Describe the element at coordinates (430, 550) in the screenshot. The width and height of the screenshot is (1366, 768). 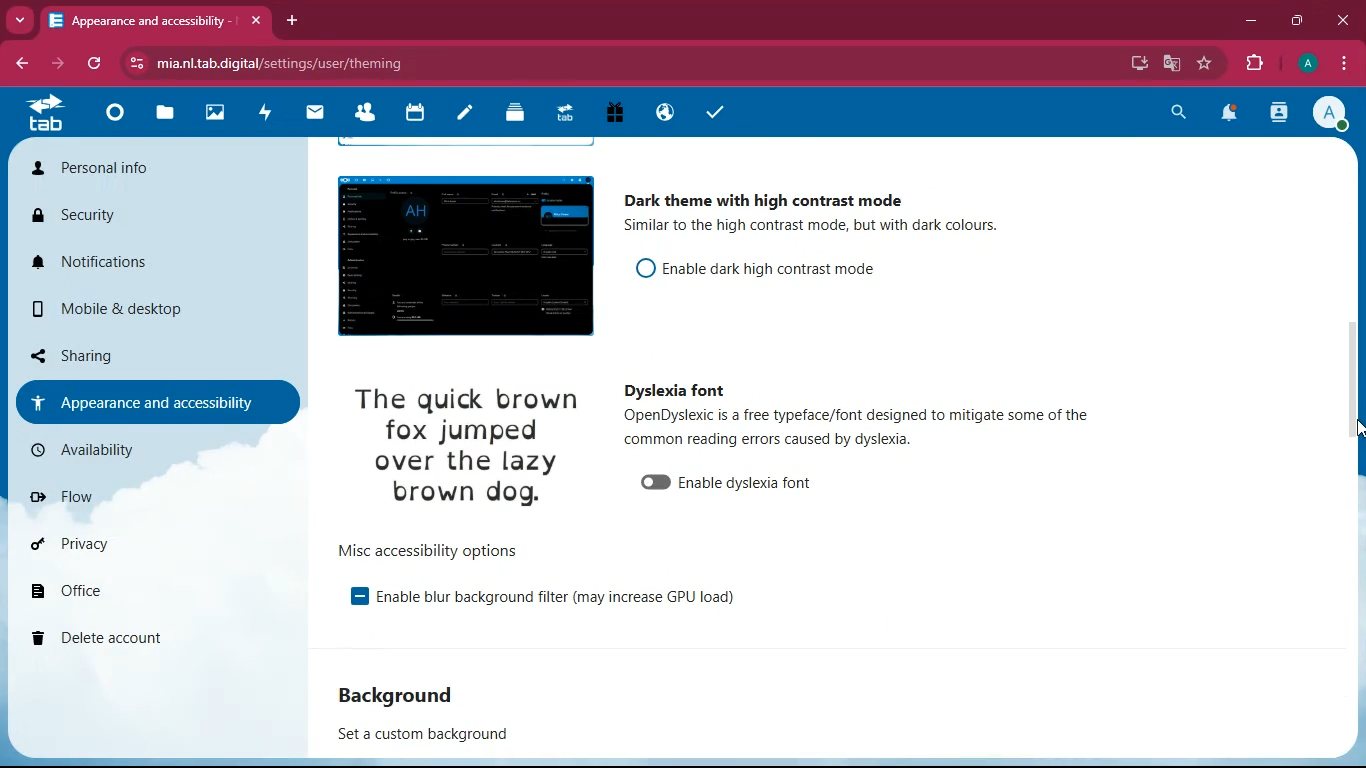
I see `options` at that location.